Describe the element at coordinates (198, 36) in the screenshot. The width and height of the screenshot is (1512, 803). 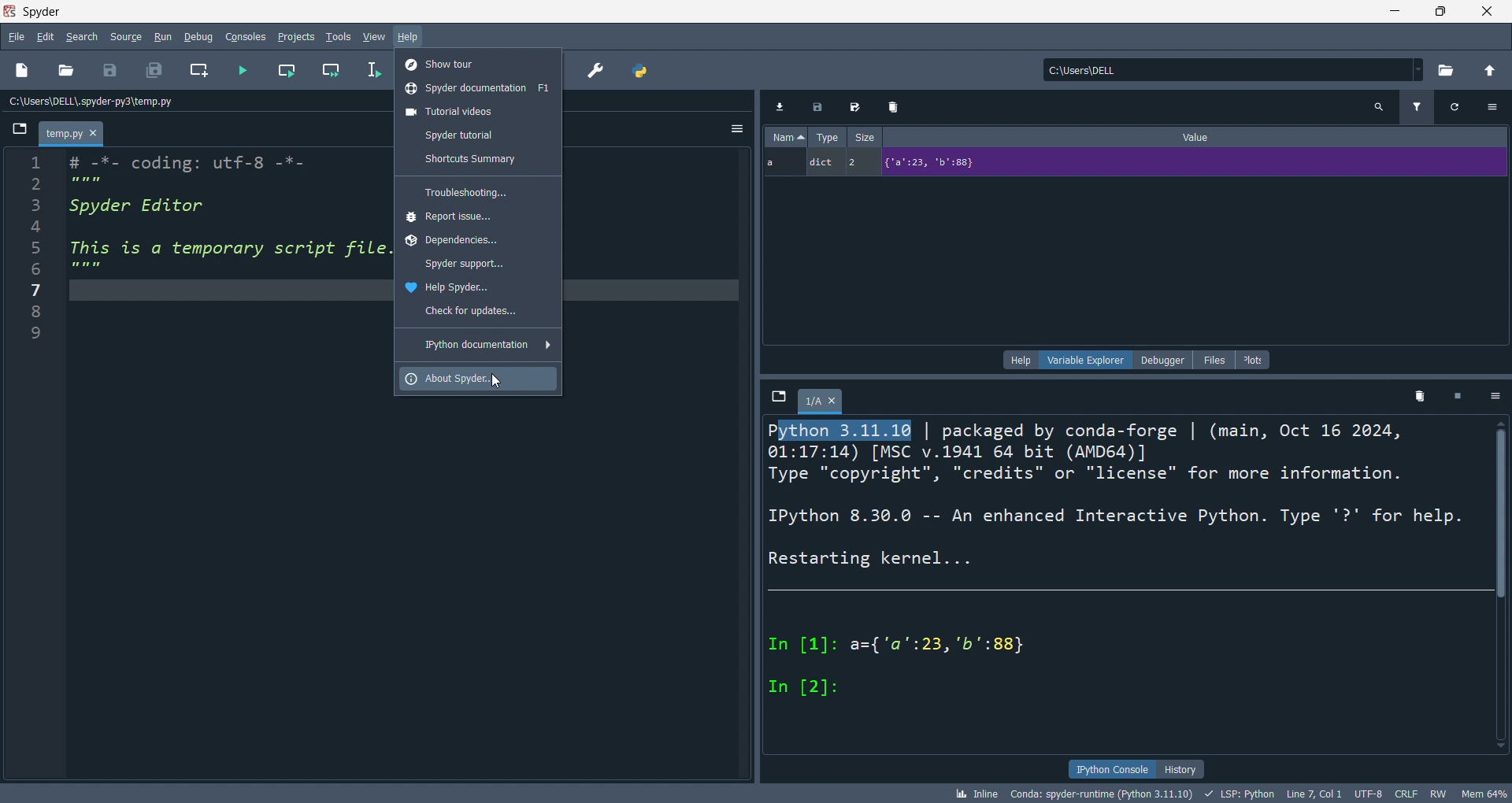
I see `debug ` at that location.